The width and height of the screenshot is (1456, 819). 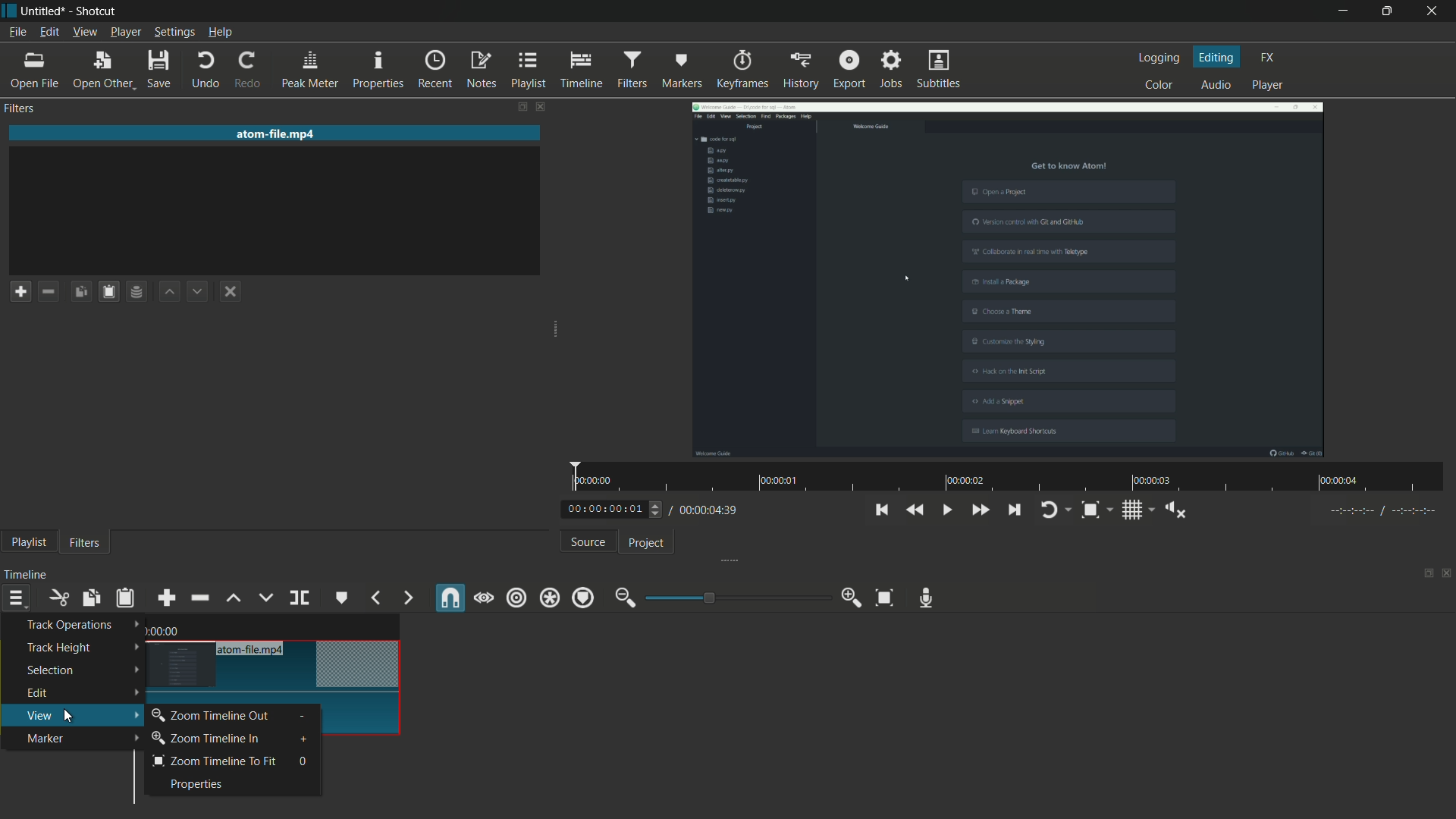 I want to click on timeline, so click(x=582, y=70).